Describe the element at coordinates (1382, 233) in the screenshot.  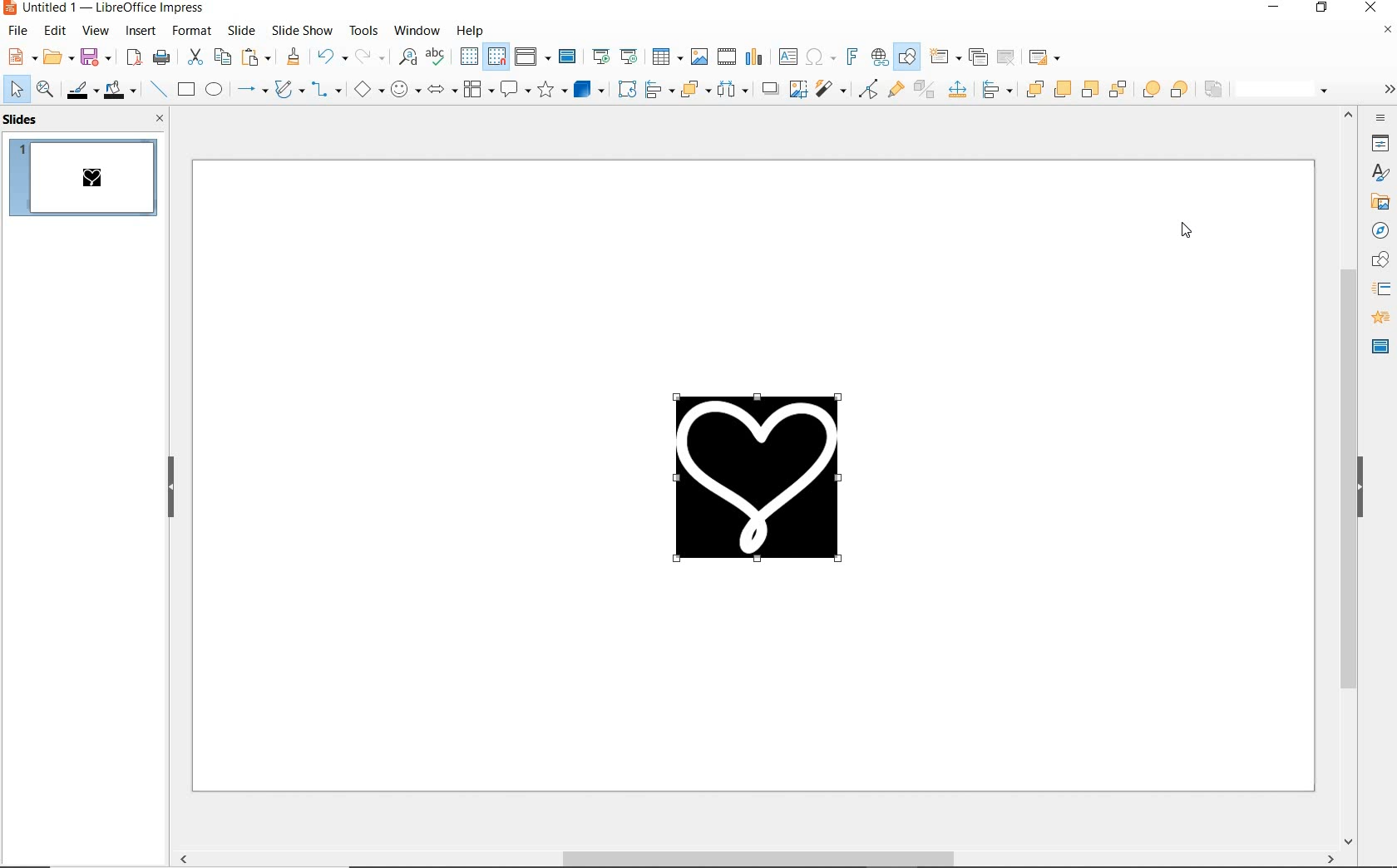
I see `NAVIGATOR` at that location.